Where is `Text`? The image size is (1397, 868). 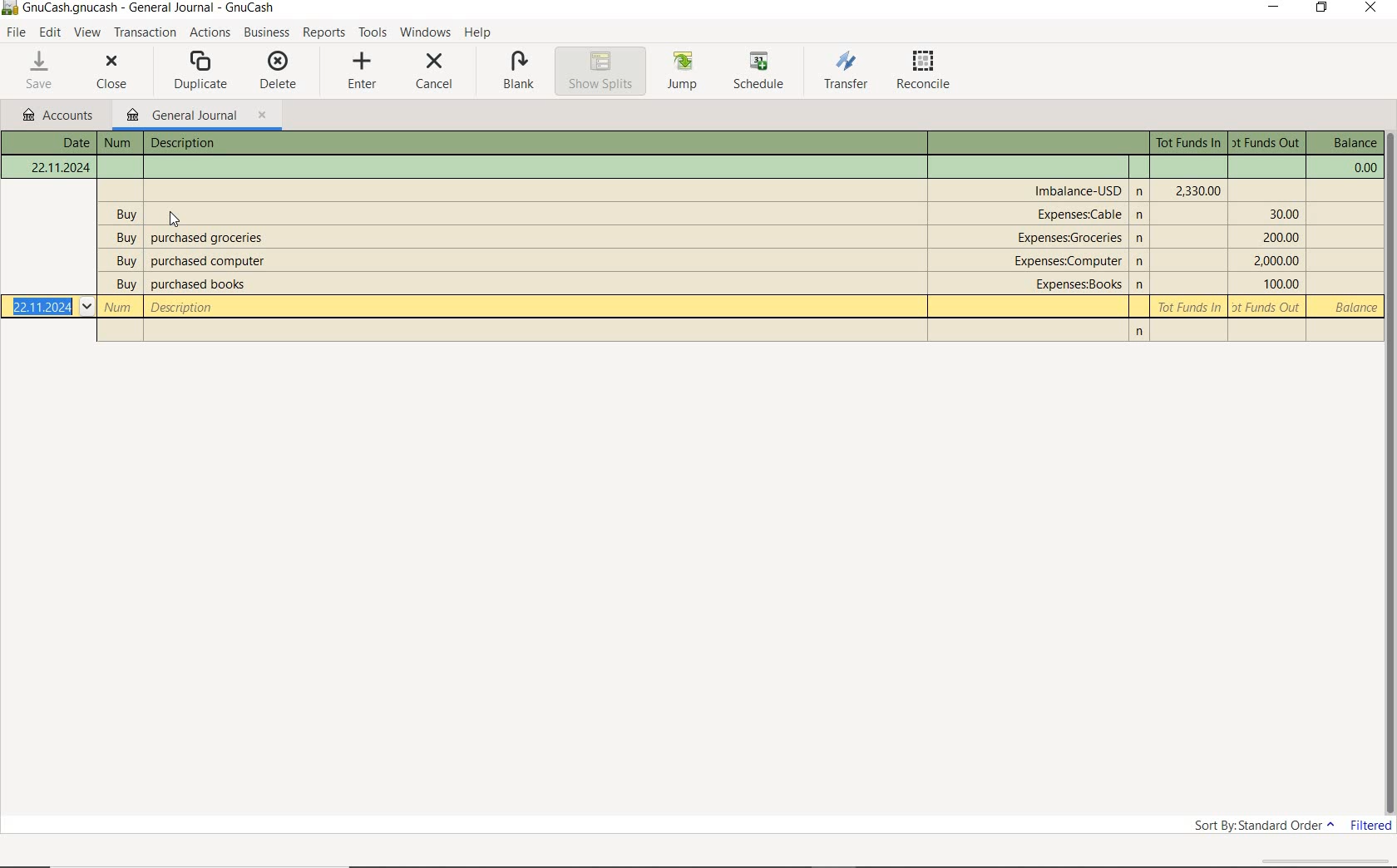 Text is located at coordinates (243, 143).